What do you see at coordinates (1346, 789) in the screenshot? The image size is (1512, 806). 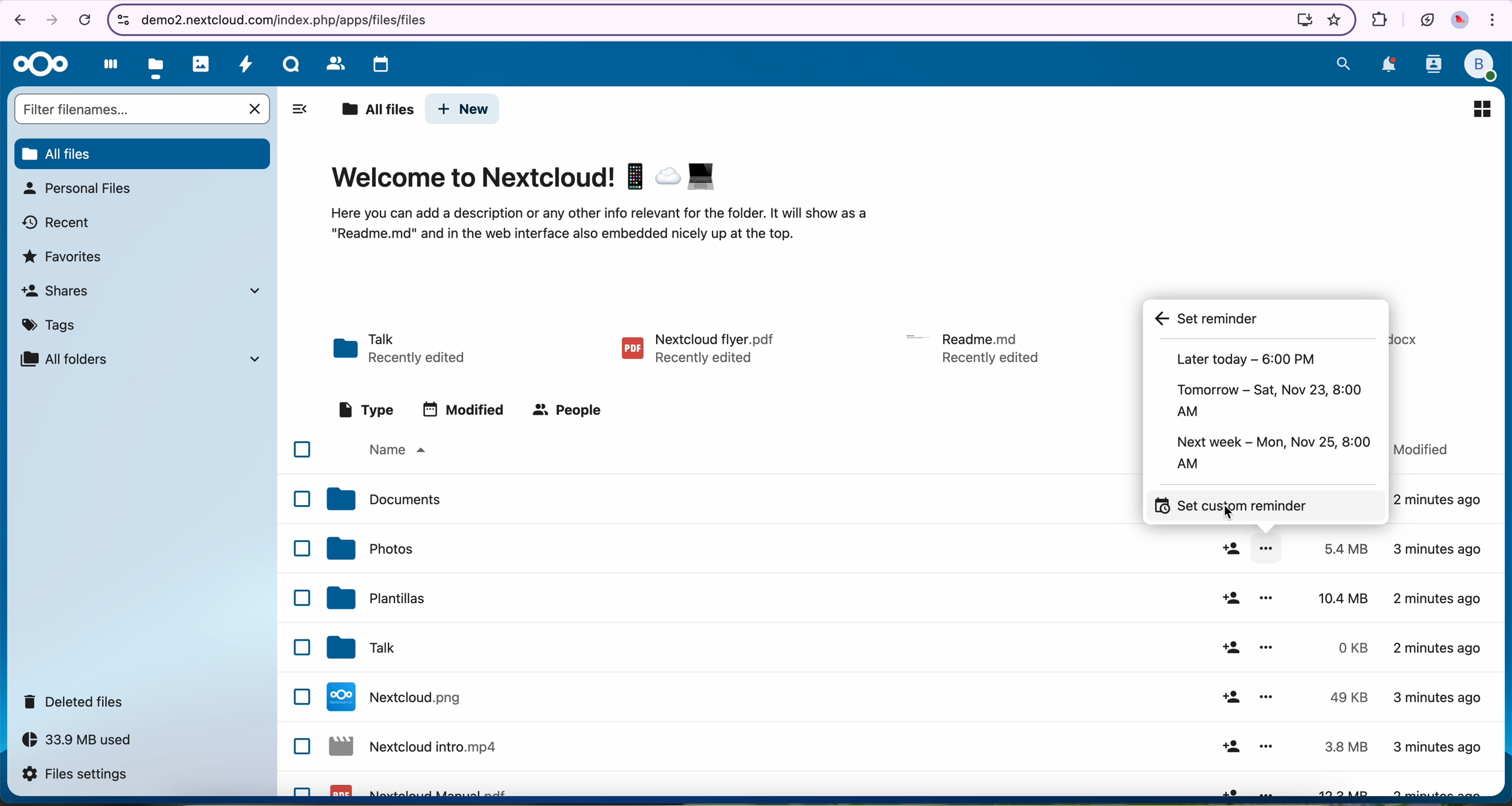 I see `13.3` at bounding box center [1346, 789].